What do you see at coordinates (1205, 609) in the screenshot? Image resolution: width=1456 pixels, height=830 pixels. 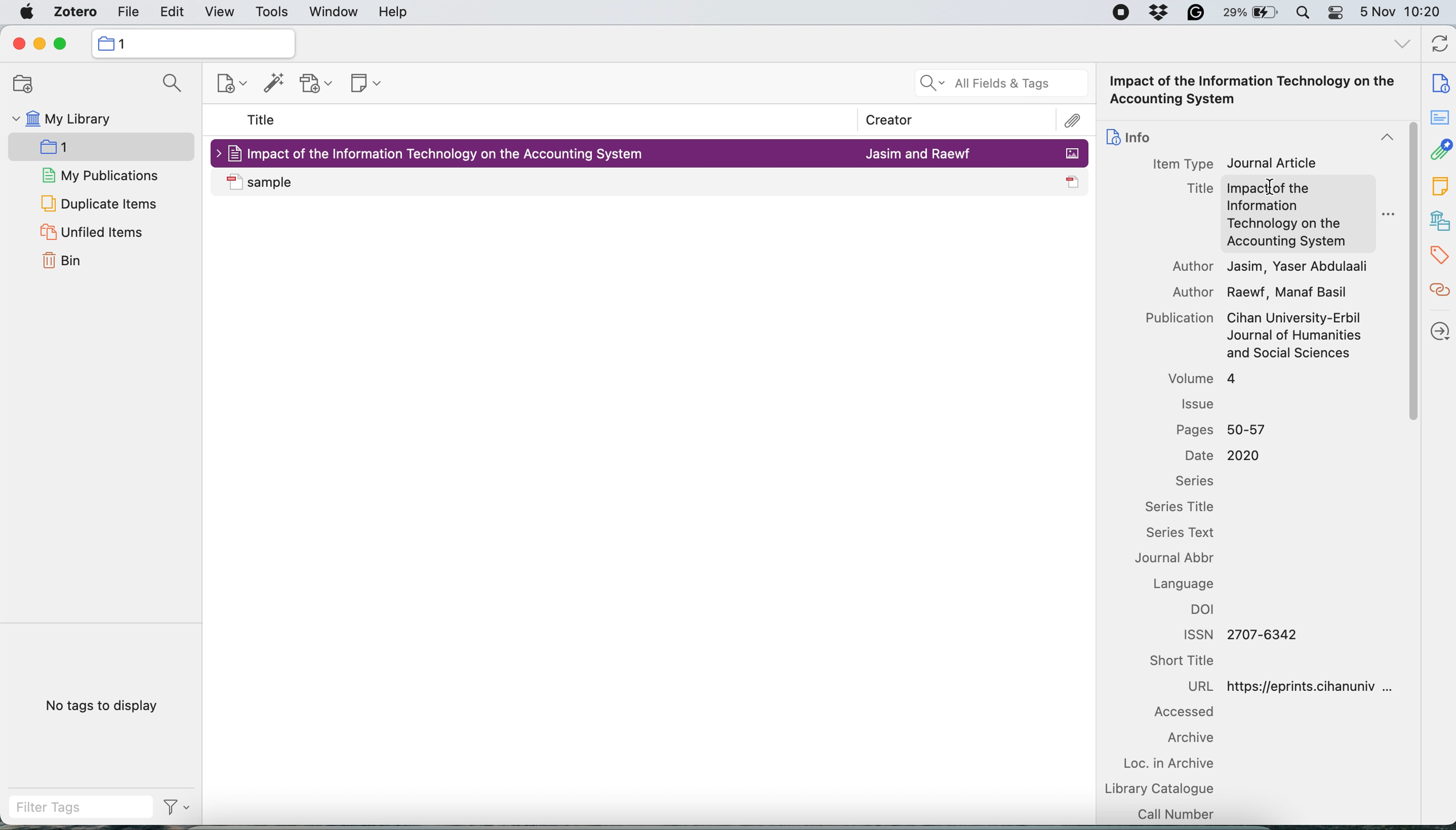 I see `doi` at bounding box center [1205, 609].